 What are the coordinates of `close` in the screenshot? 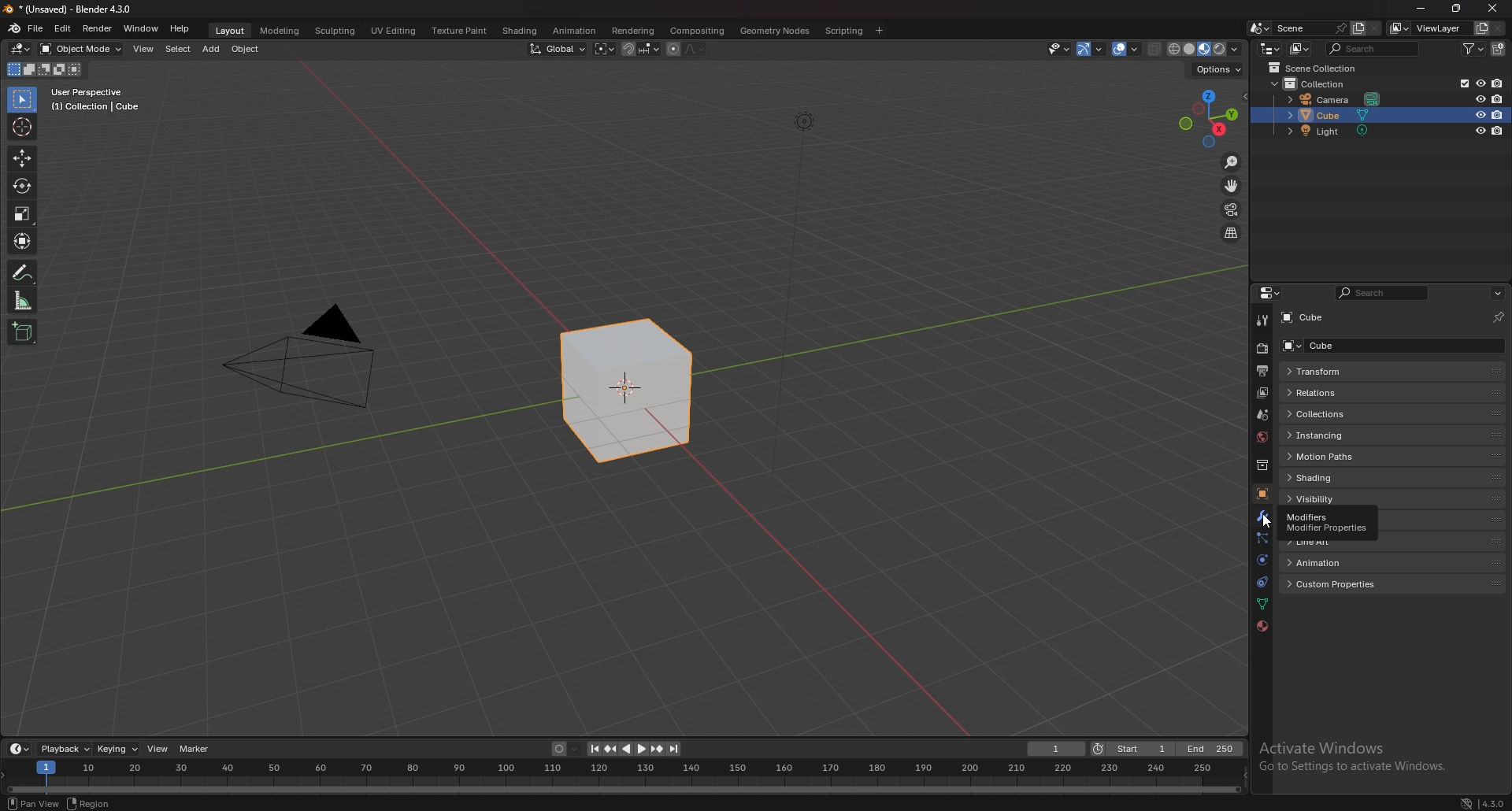 It's located at (1492, 9).